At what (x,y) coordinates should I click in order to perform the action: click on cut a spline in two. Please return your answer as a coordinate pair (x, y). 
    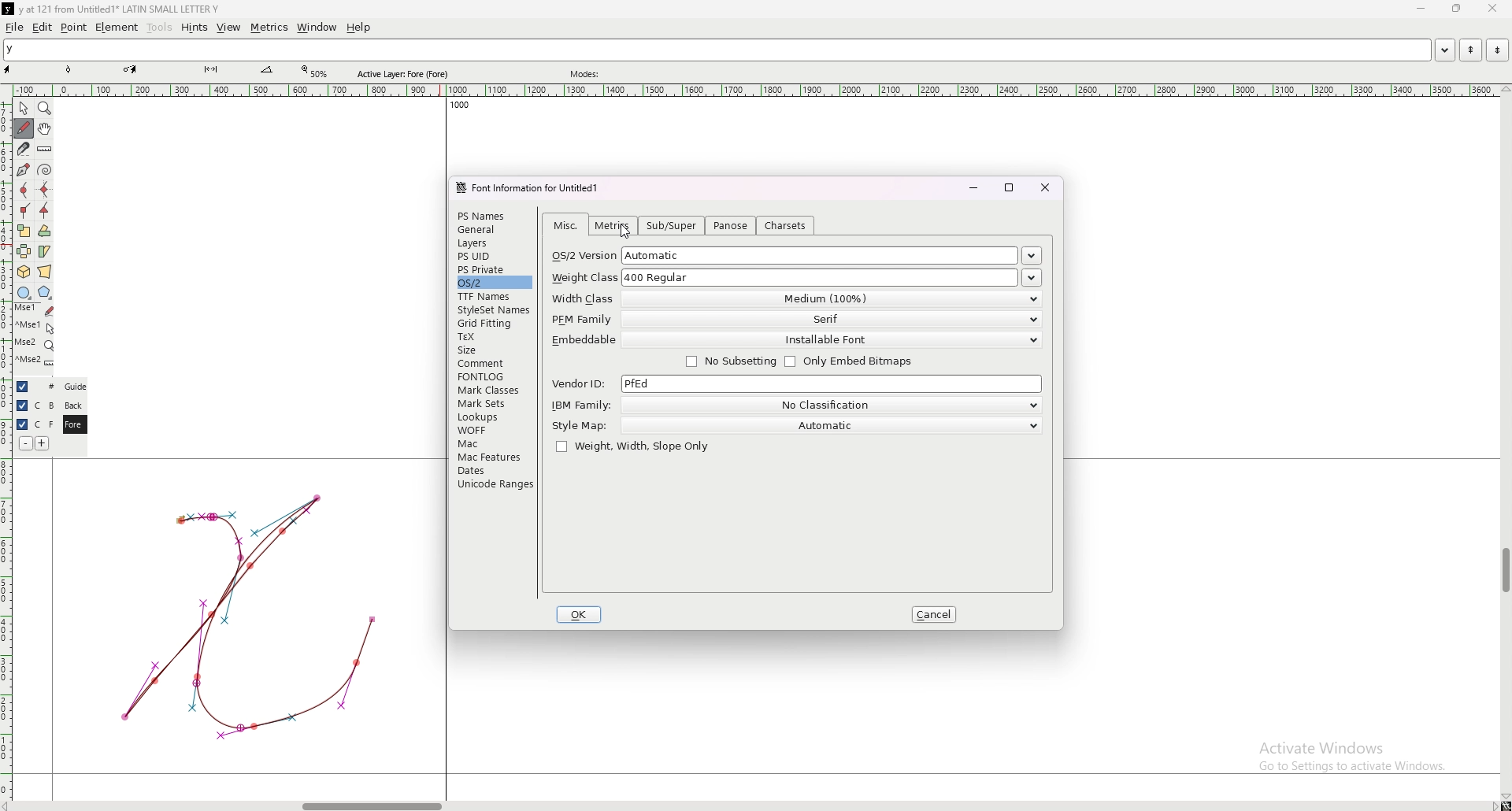
    Looking at the image, I should click on (22, 149).